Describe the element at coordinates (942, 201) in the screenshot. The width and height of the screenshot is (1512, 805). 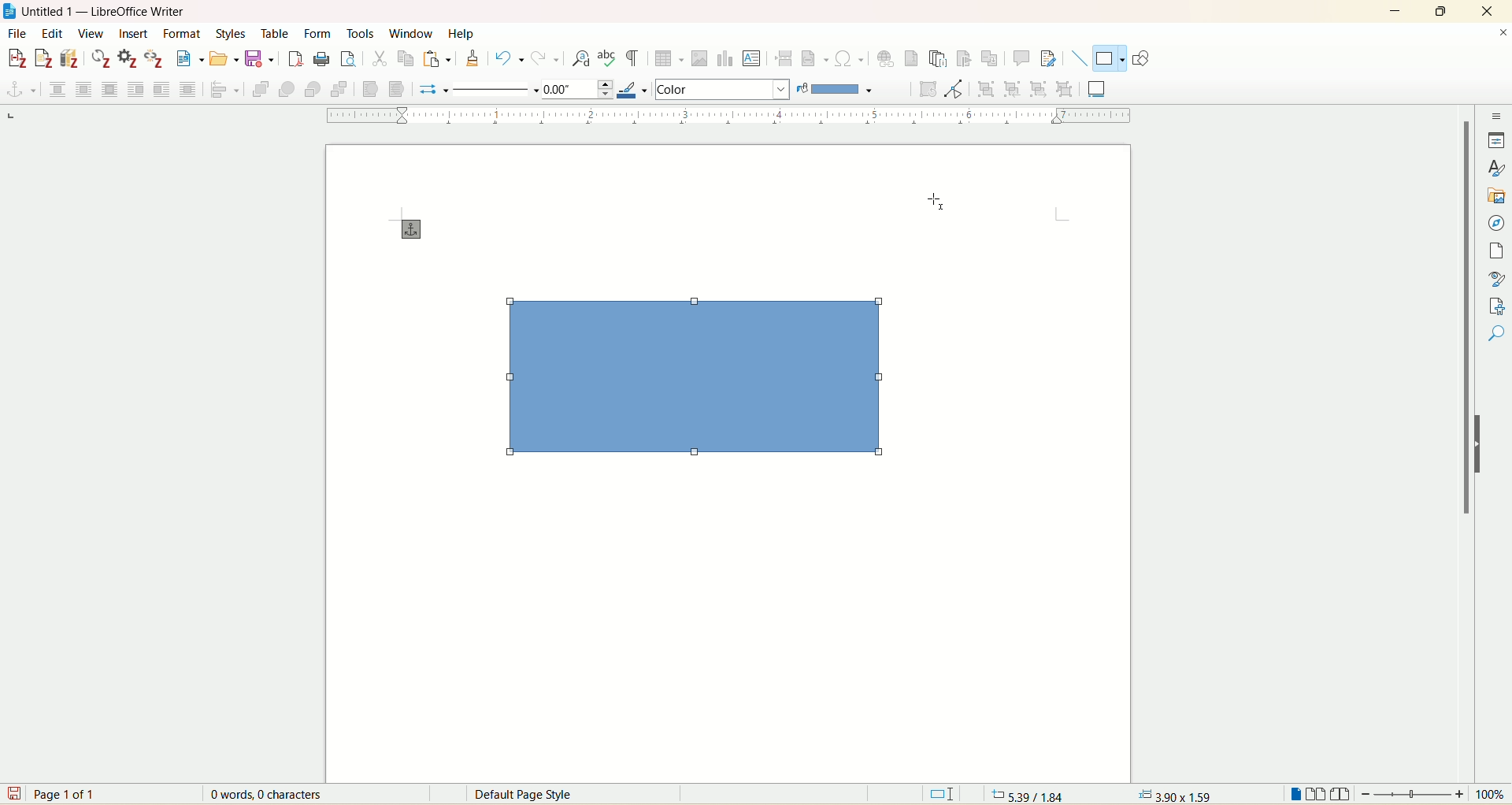
I see `Cursor` at that location.